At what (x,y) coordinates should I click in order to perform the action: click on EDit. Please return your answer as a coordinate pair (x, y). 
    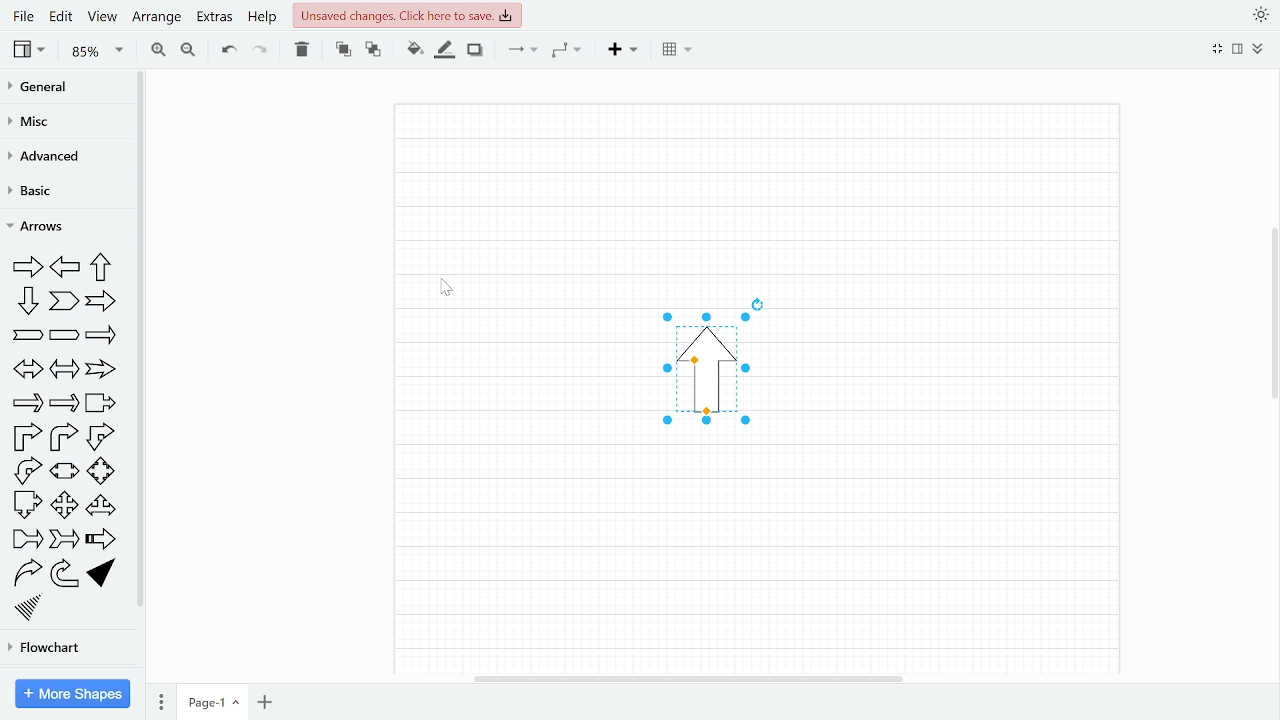
    Looking at the image, I should click on (61, 16).